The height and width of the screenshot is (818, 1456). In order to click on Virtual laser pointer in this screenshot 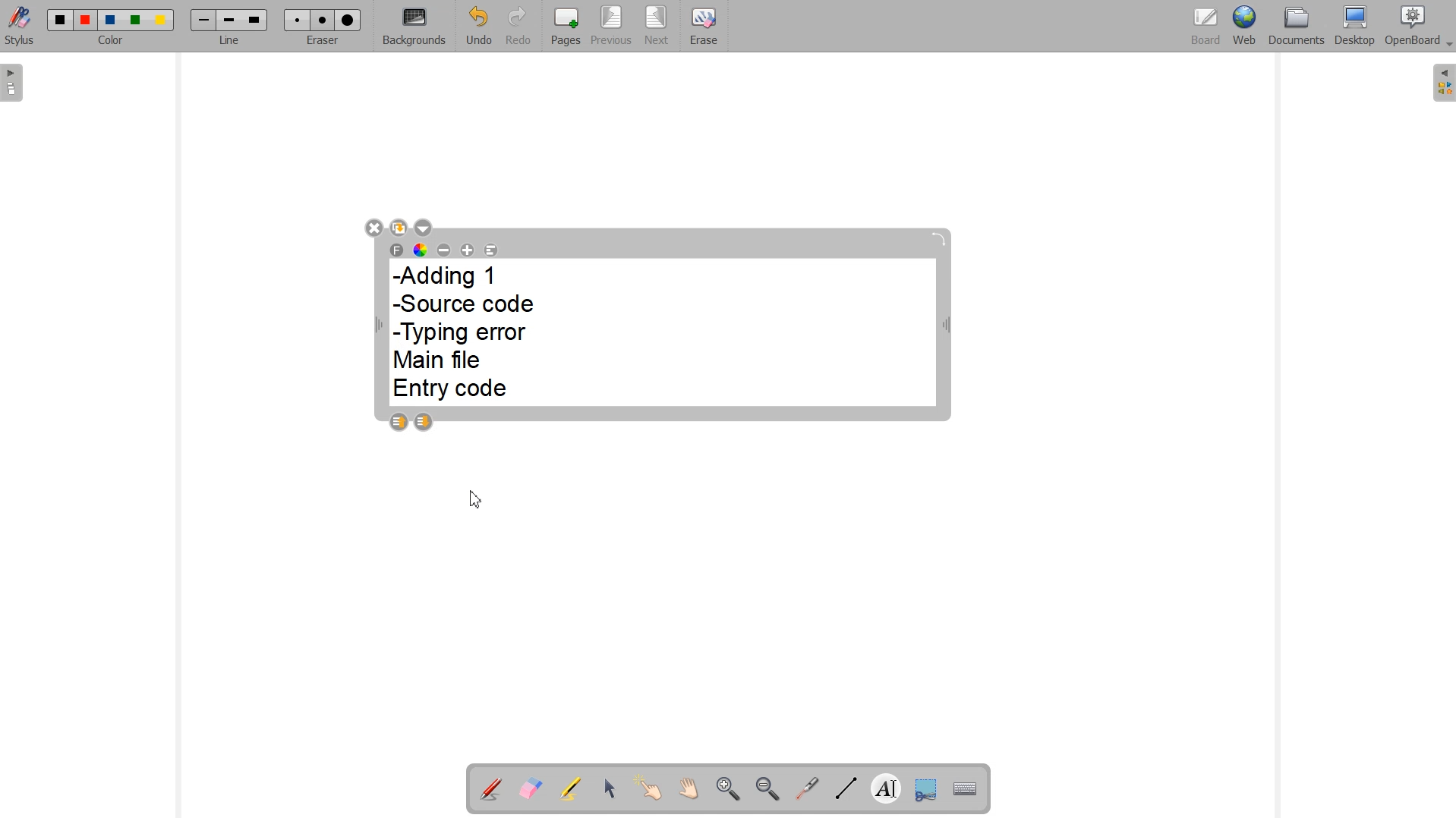, I will do `click(807, 788)`.